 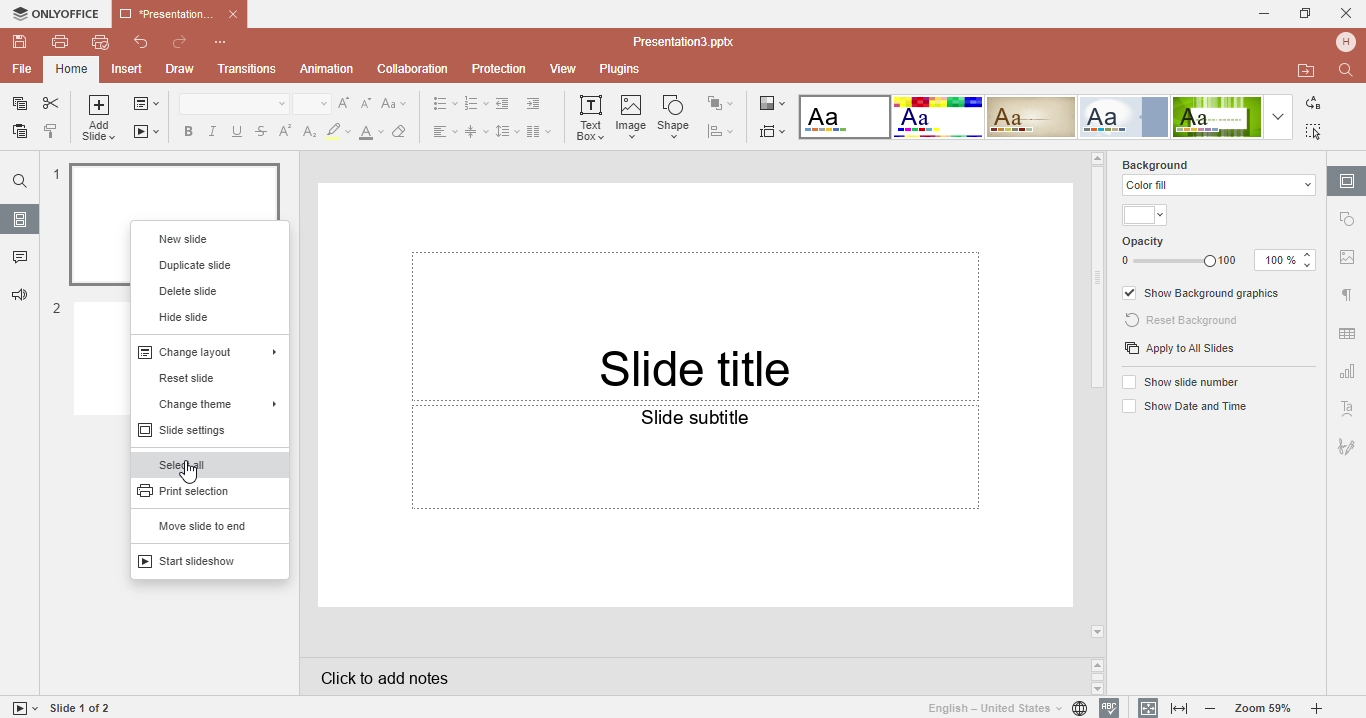 I want to click on Numbering, so click(x=477, y=104).